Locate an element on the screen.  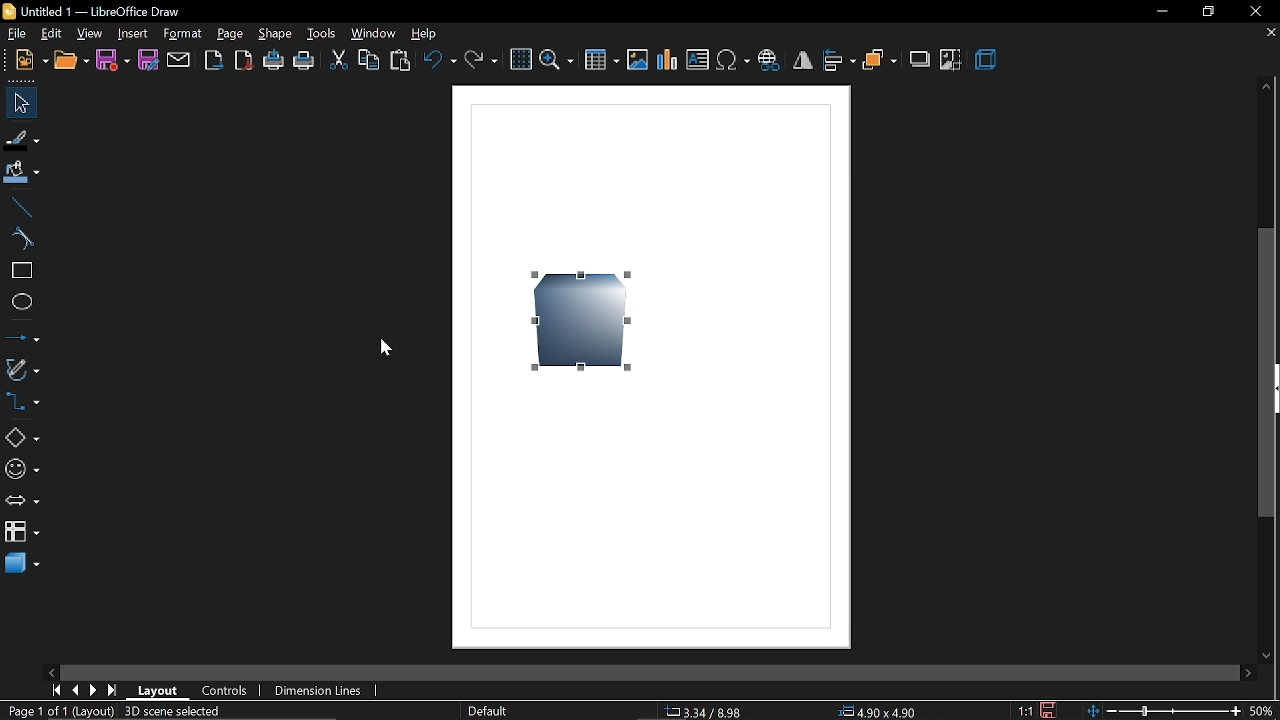
export is located at coordinates (214, 60).